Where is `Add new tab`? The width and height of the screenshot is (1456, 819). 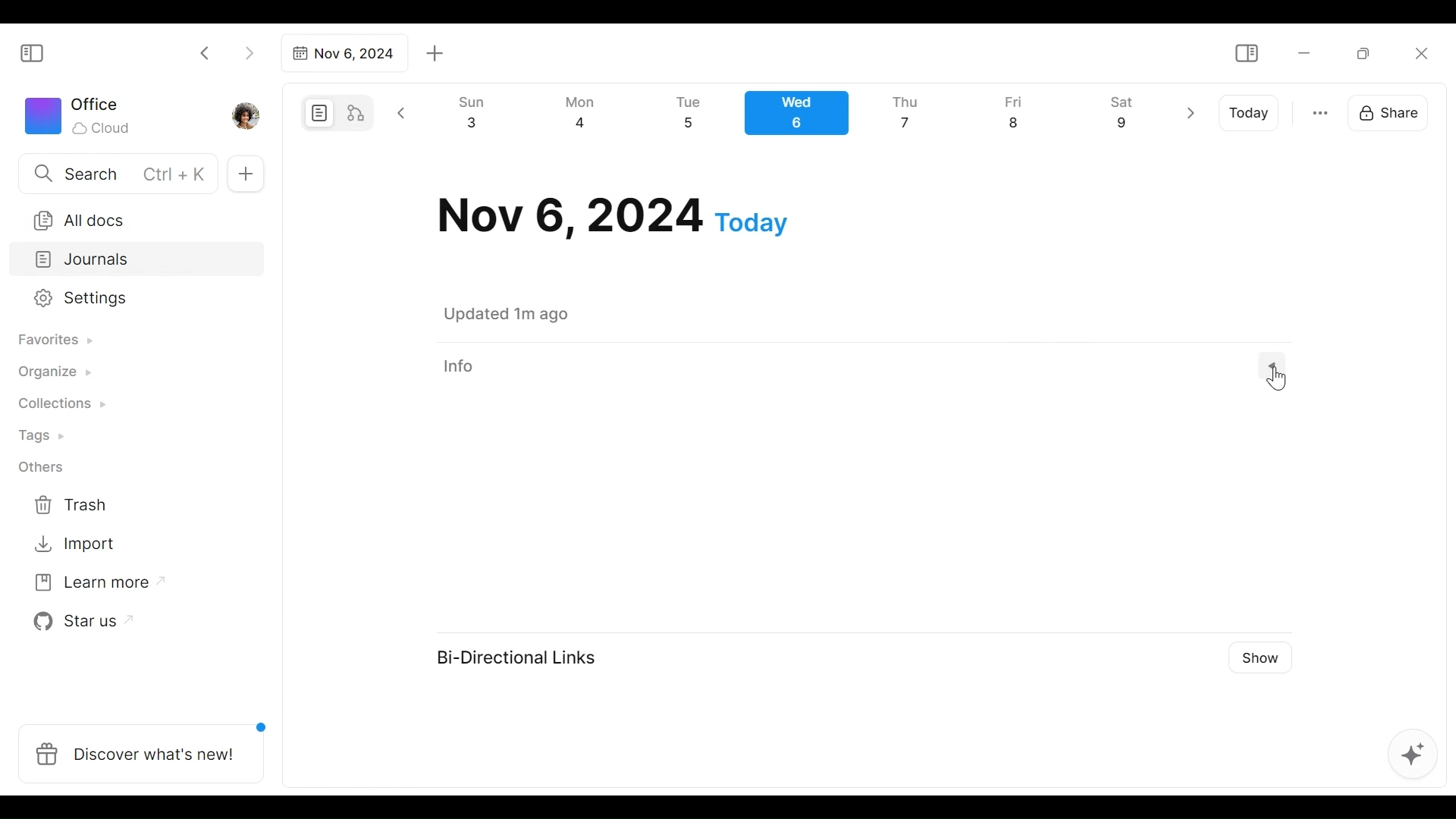
Add new tab is located at coordinates (435, 54).